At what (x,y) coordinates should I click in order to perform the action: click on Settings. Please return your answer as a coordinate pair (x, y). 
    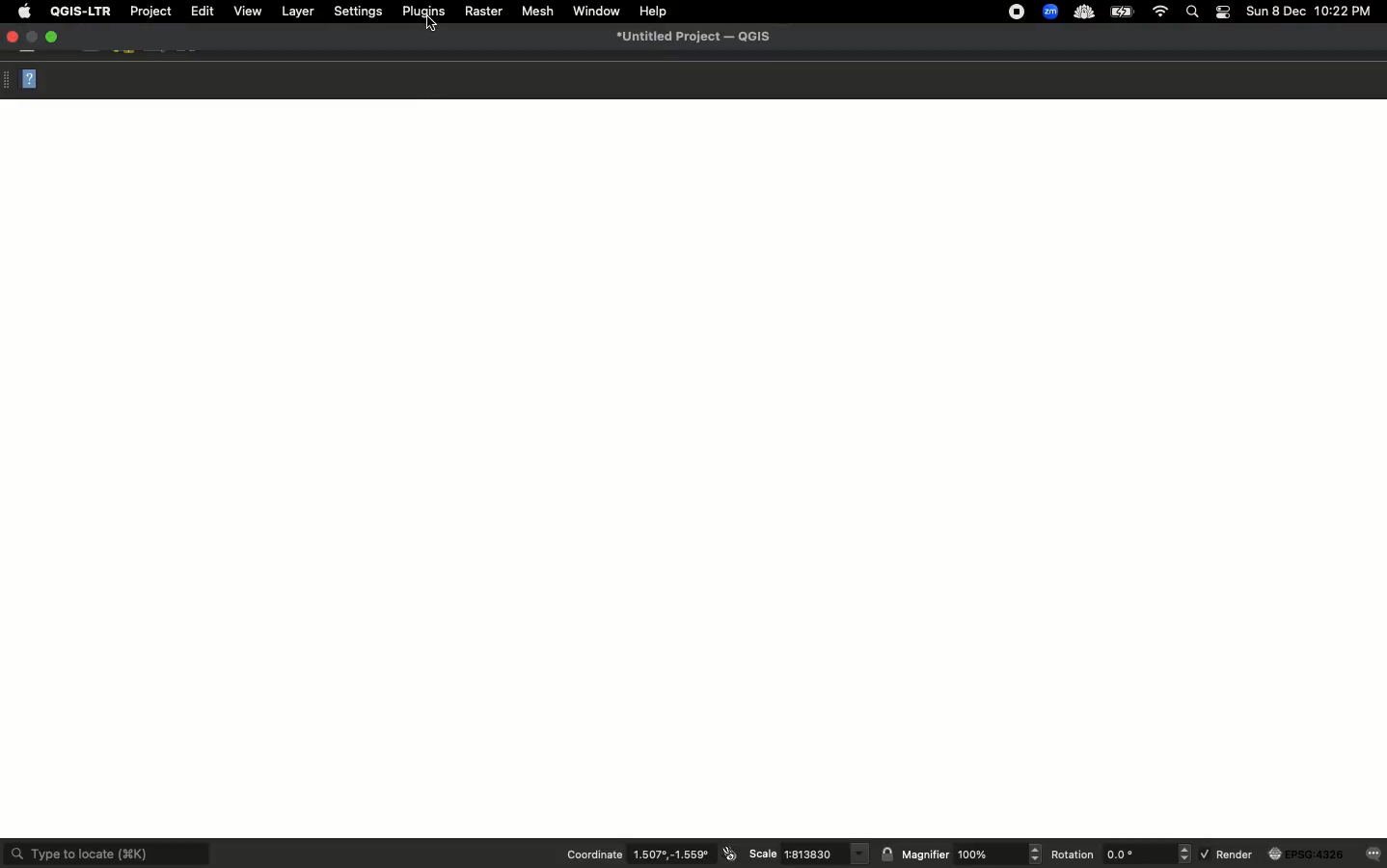
    Looking at the image, I should click on (356, 12).